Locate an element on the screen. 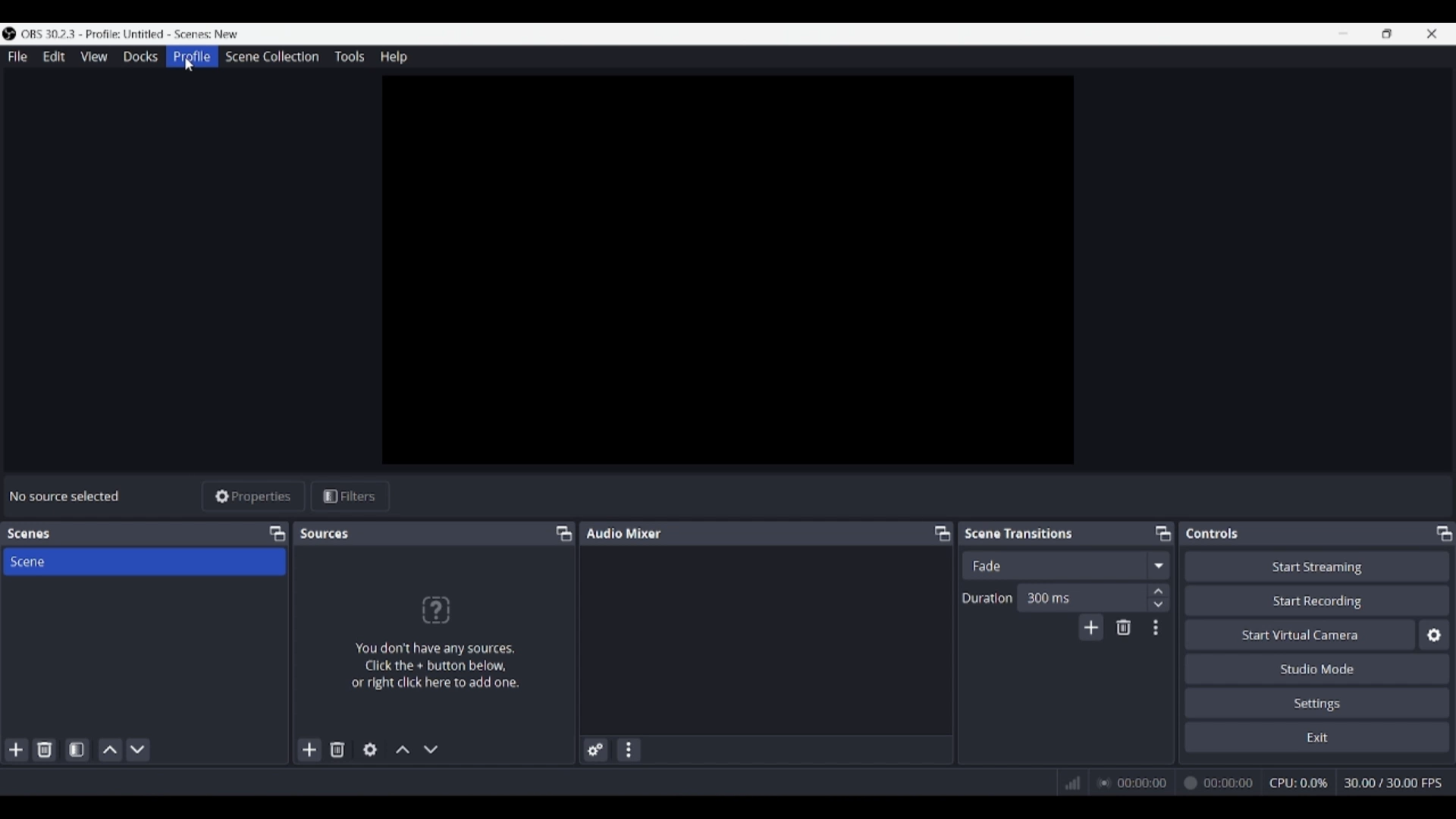 The width and height of the screenshot is (1456, 819). Move source up is located at coordinates (403, 749).